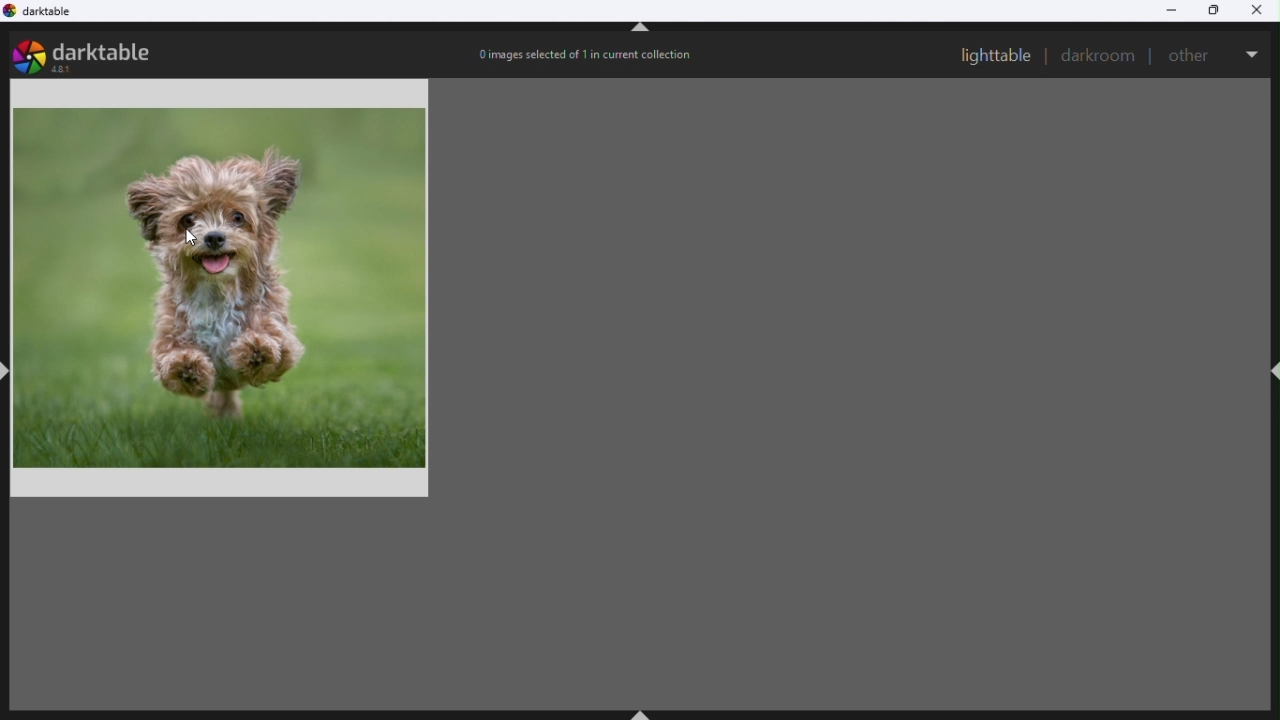  Describe the element at coordinates (1100, 52) in the screenshot. I see `Dark room` at that location.